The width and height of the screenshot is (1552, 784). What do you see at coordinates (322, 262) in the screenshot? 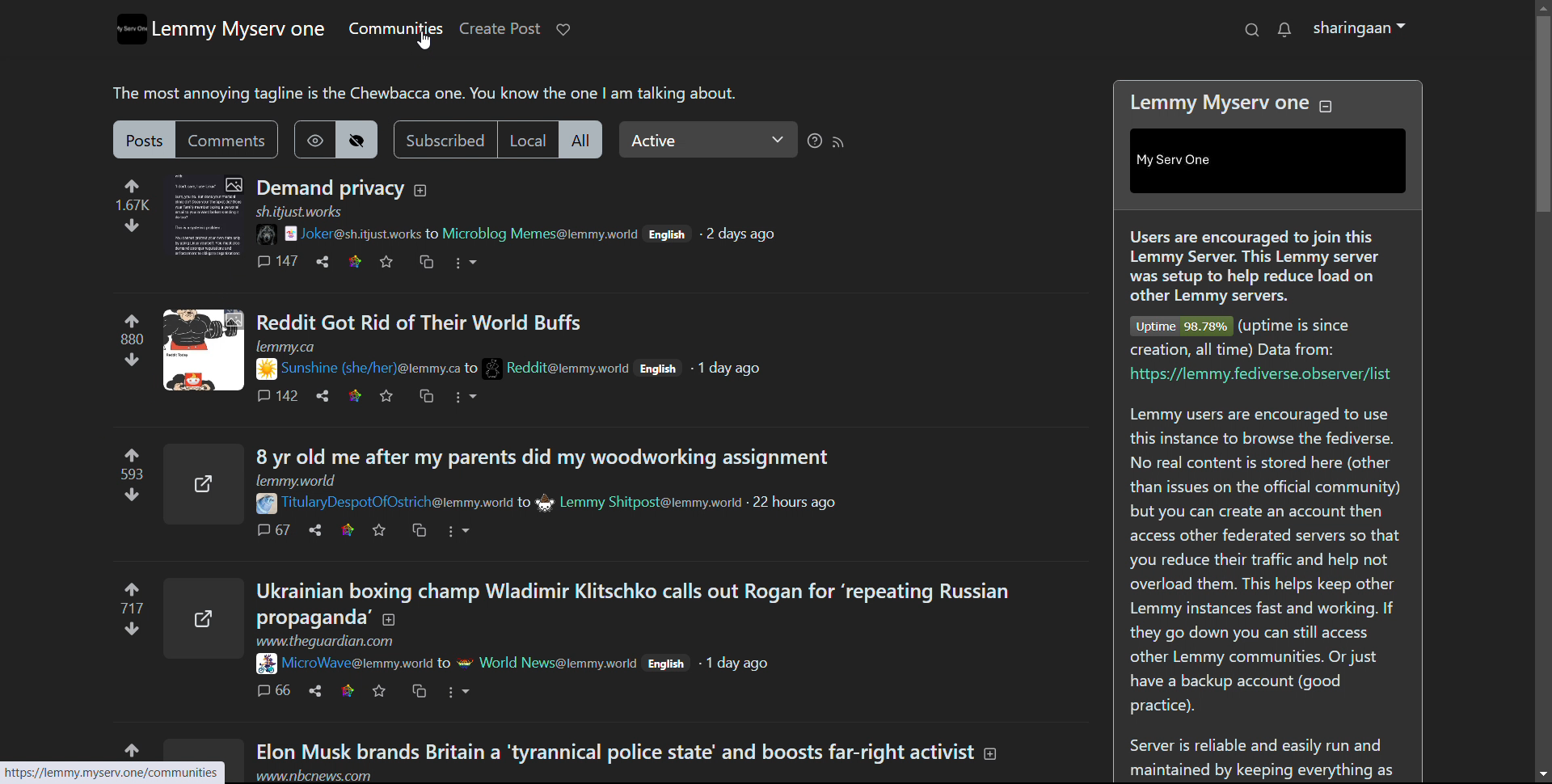
I see `share` at bounding box center [322, 262].